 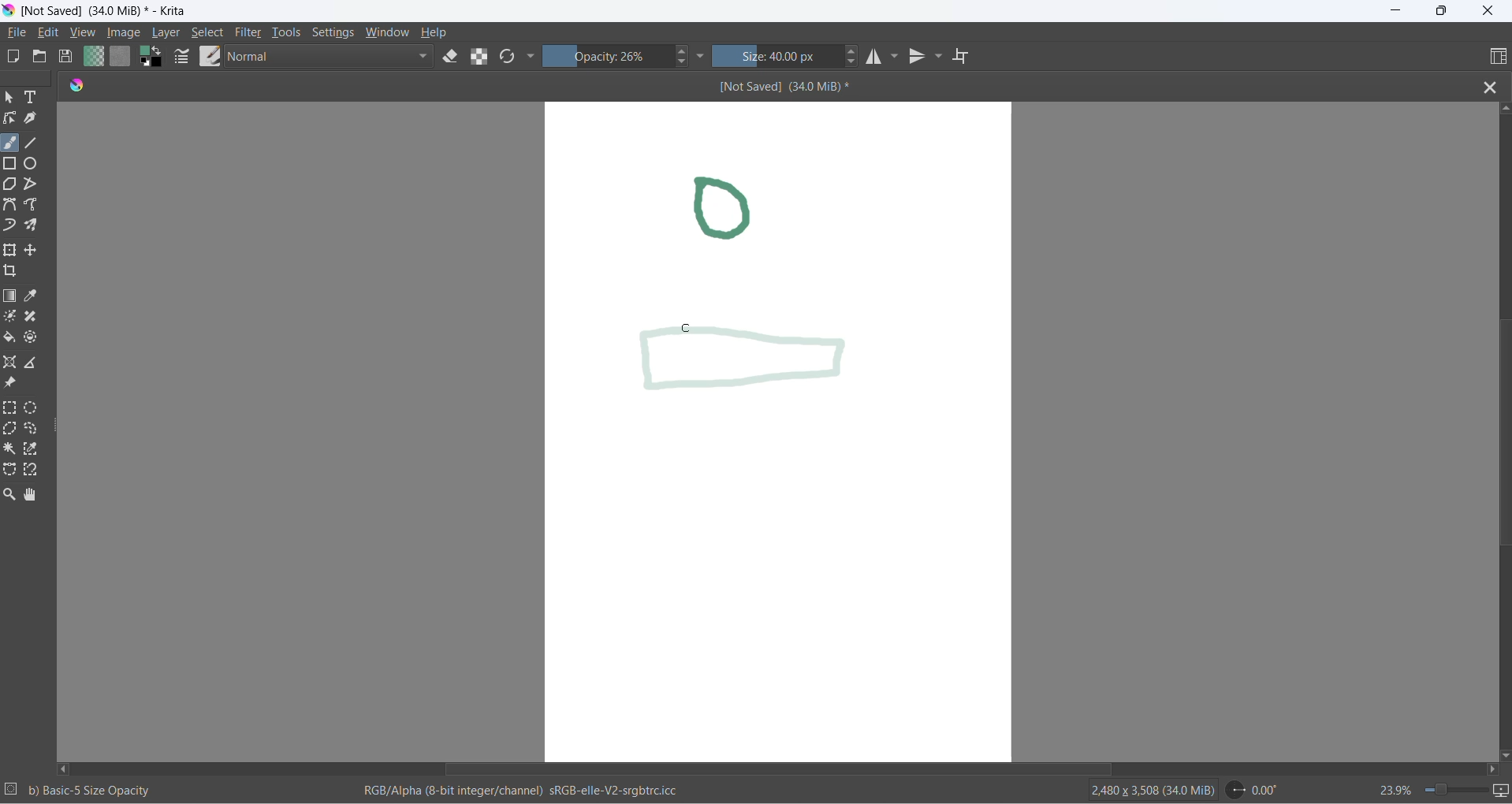 What do you see at coordinates (331, 33) in the screenshot?
I see `settings` at bounding box center [331, 33].